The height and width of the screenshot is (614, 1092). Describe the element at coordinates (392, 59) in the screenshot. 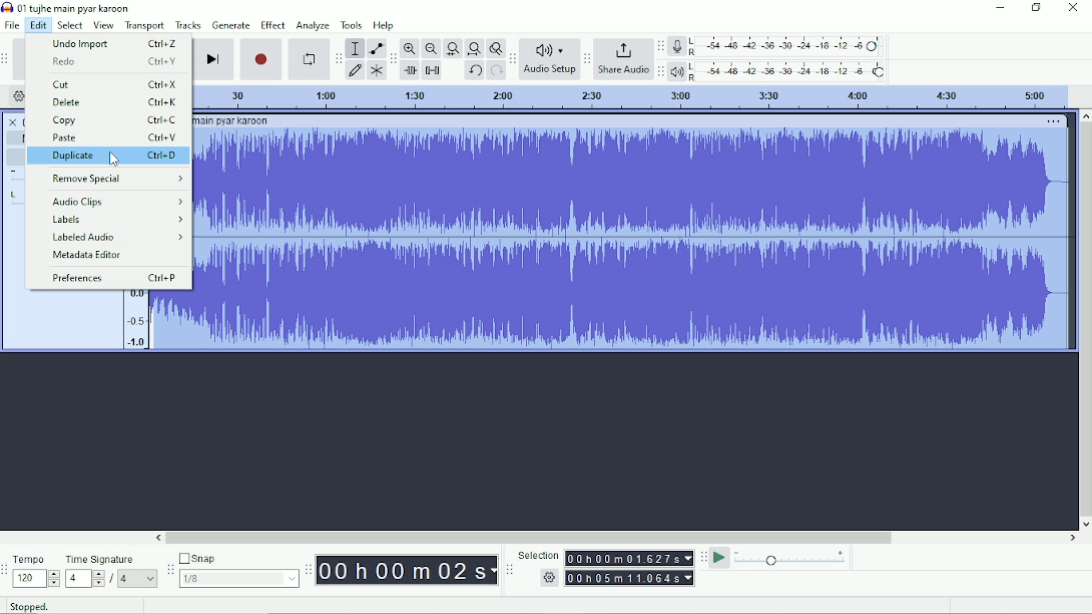

I see `Audacity edit toolbar` at that location.